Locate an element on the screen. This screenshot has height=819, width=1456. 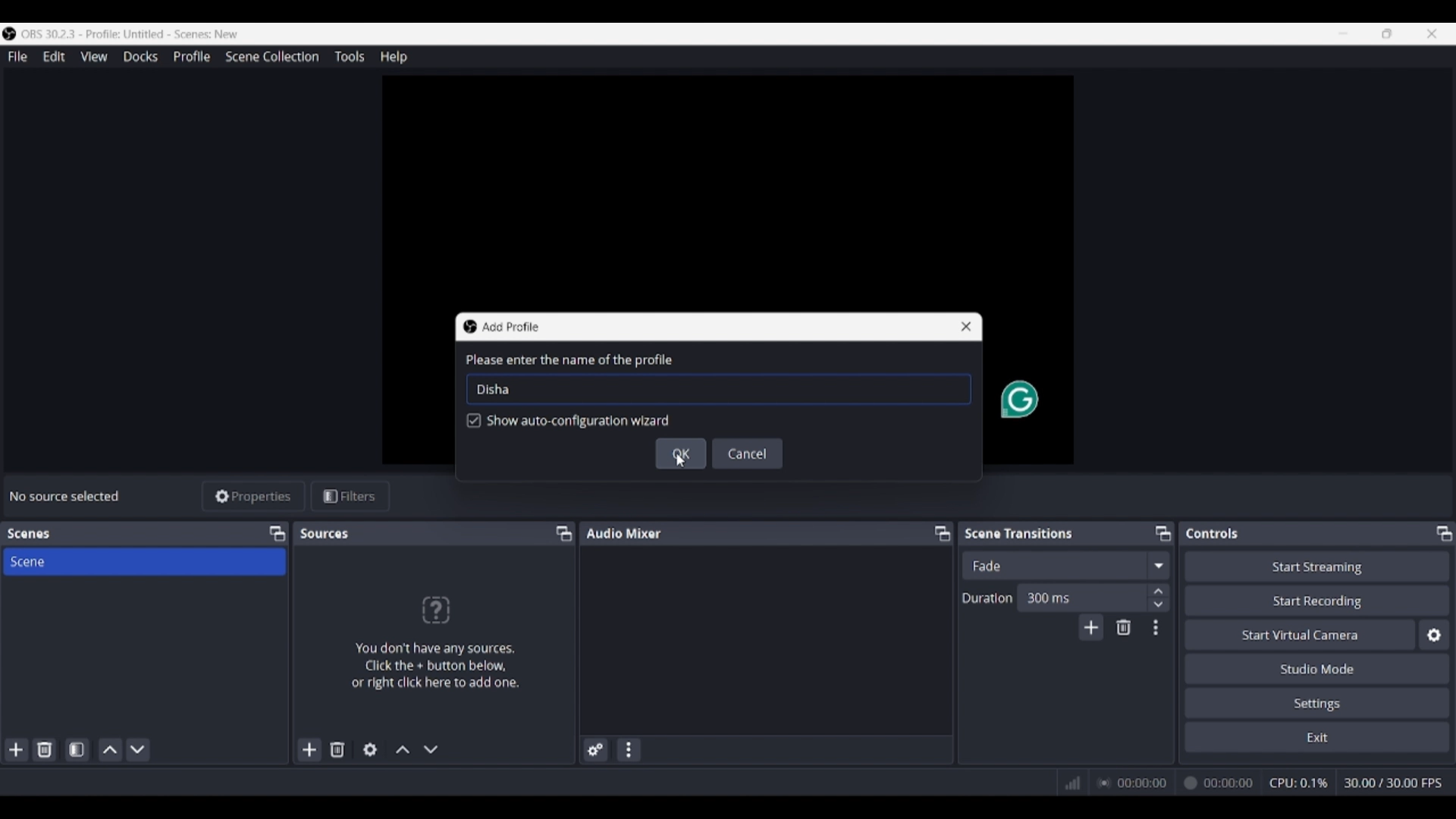
Studio mode is located at coordinates (1317, 668).